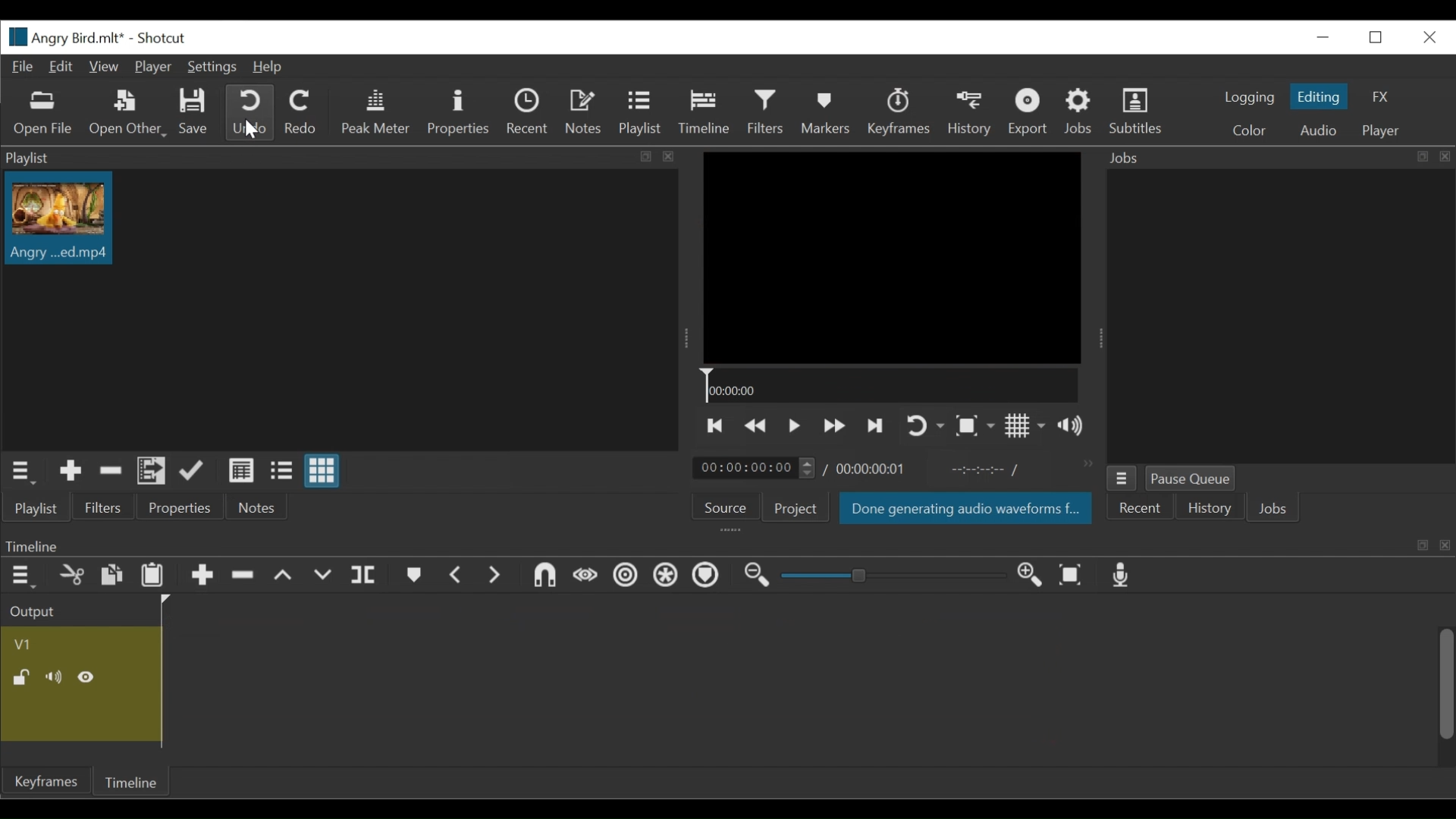  What do you see at coordinates (262, 506) in the screenshot?
I see `Notes` at bounding box center [262, 506].